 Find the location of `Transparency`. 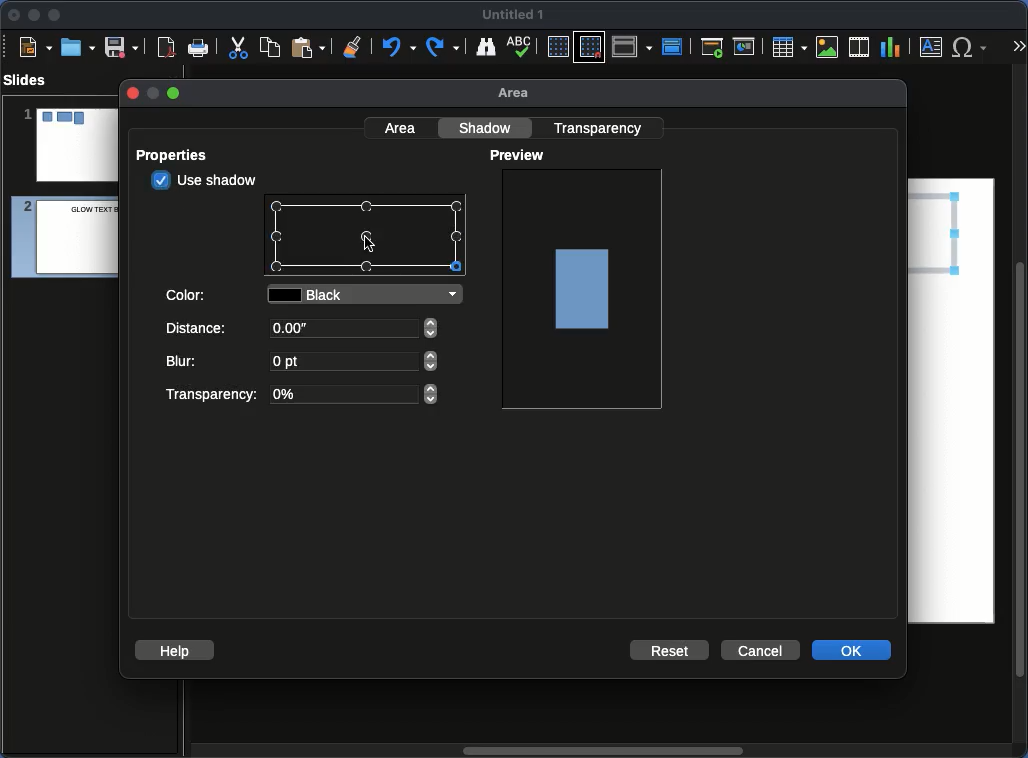

Transparency is located at coordinates (601, 127).